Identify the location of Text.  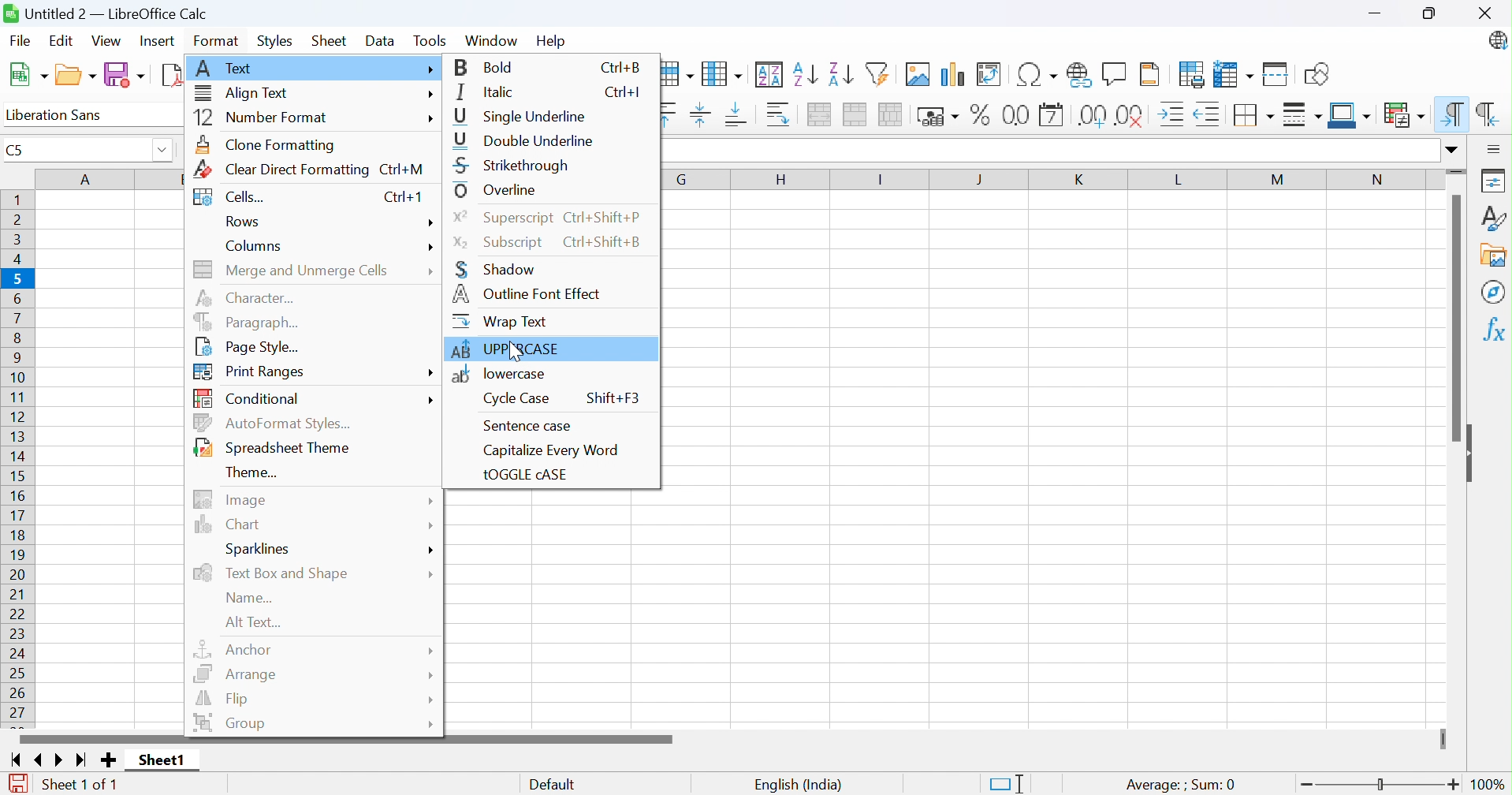
(226, 66).